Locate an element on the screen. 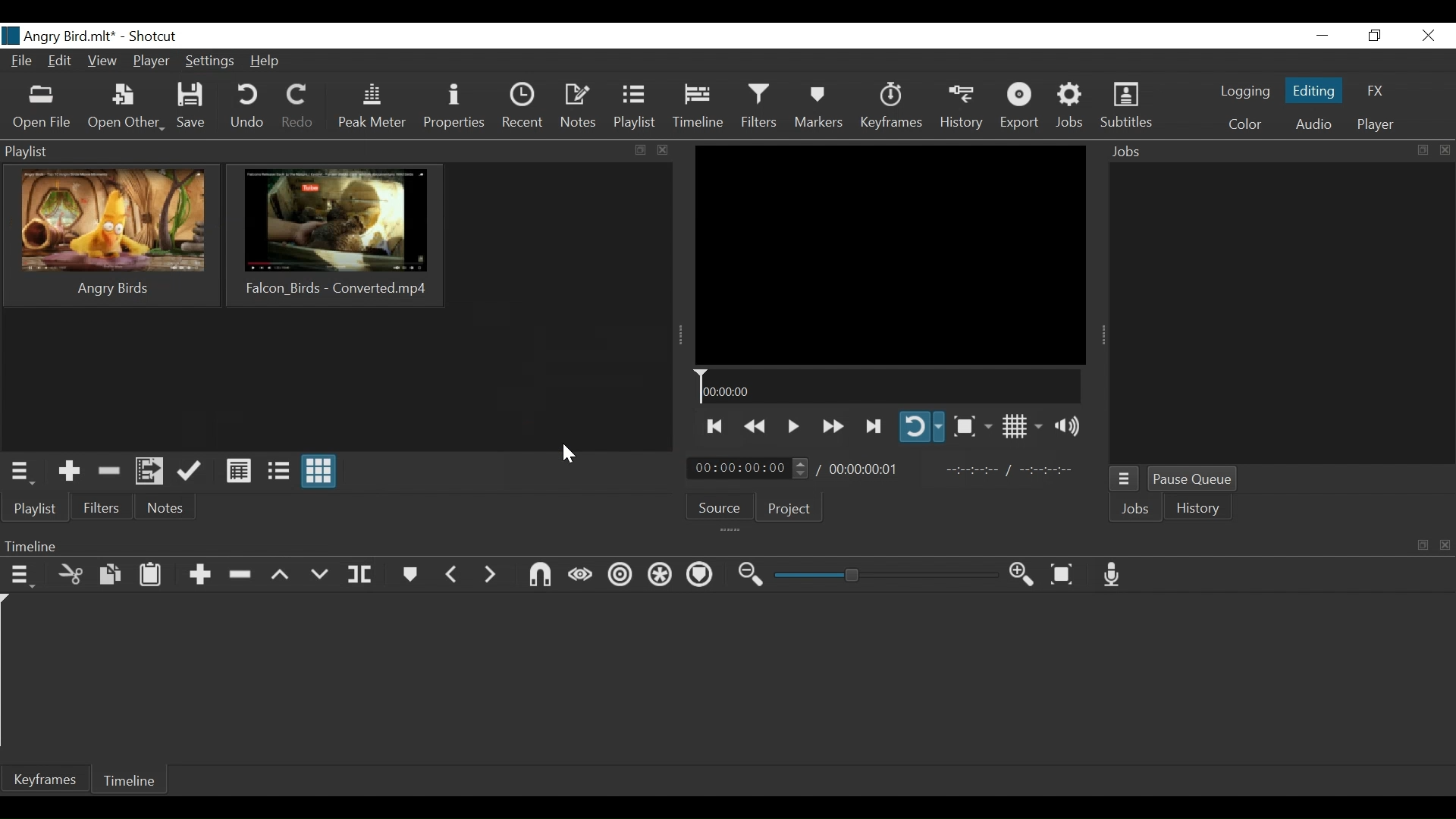 This screenshot has height=819, width=1456. Properties is located at coordinates (454, 109).